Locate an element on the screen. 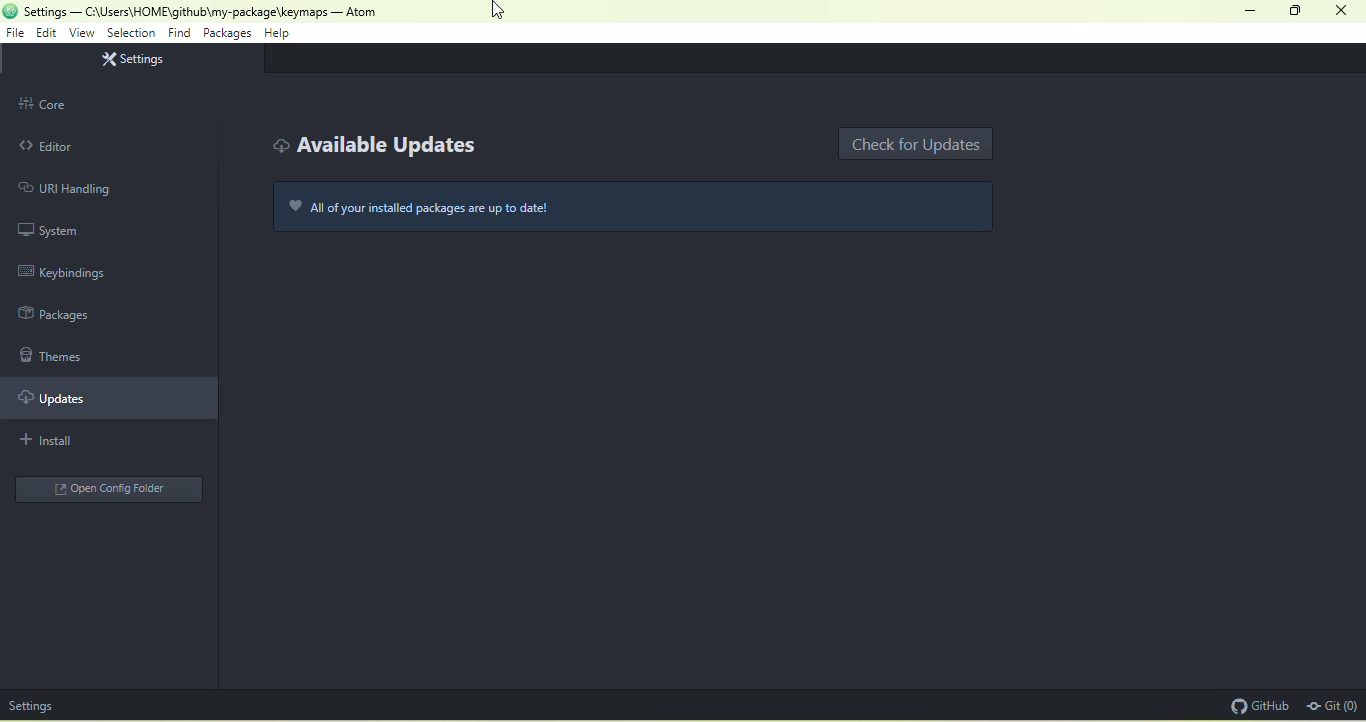 This screenshot has height=722, width=1366. available updates is located at coordinates (373, 147).